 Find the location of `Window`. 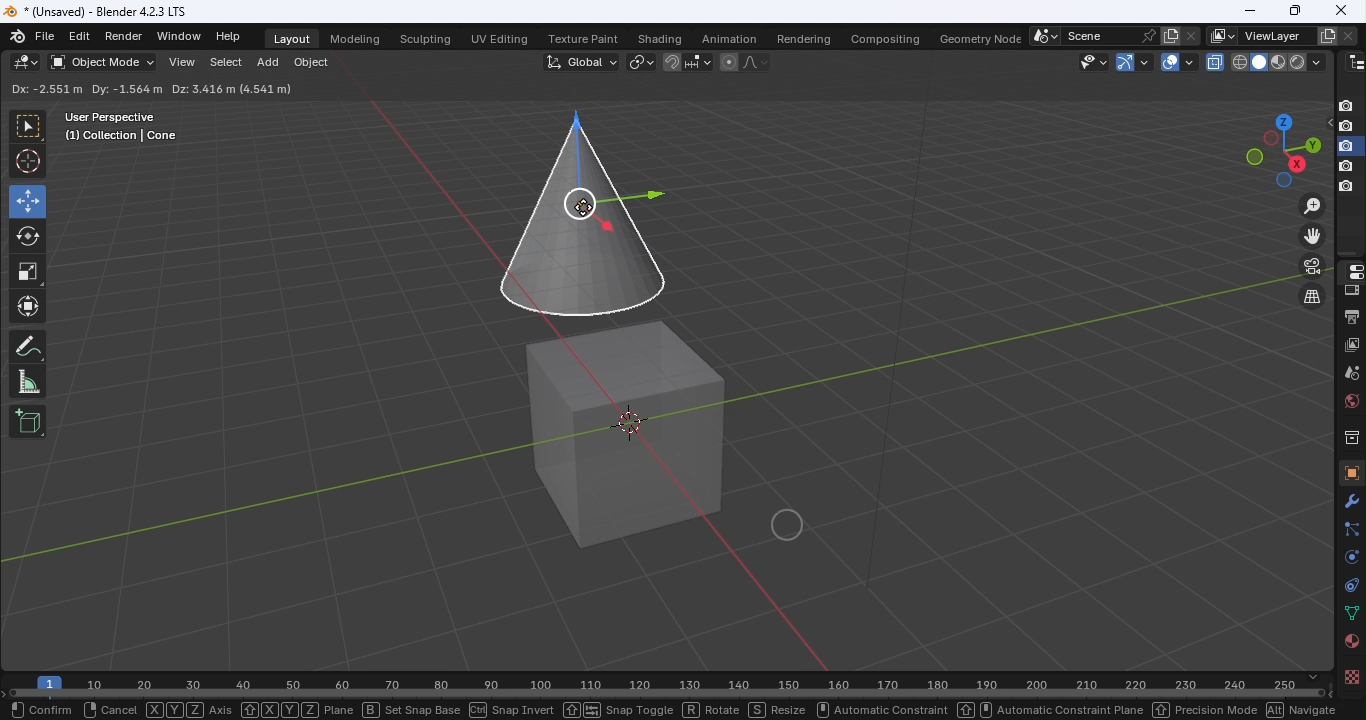

Window is located at coordinates (178, 36).